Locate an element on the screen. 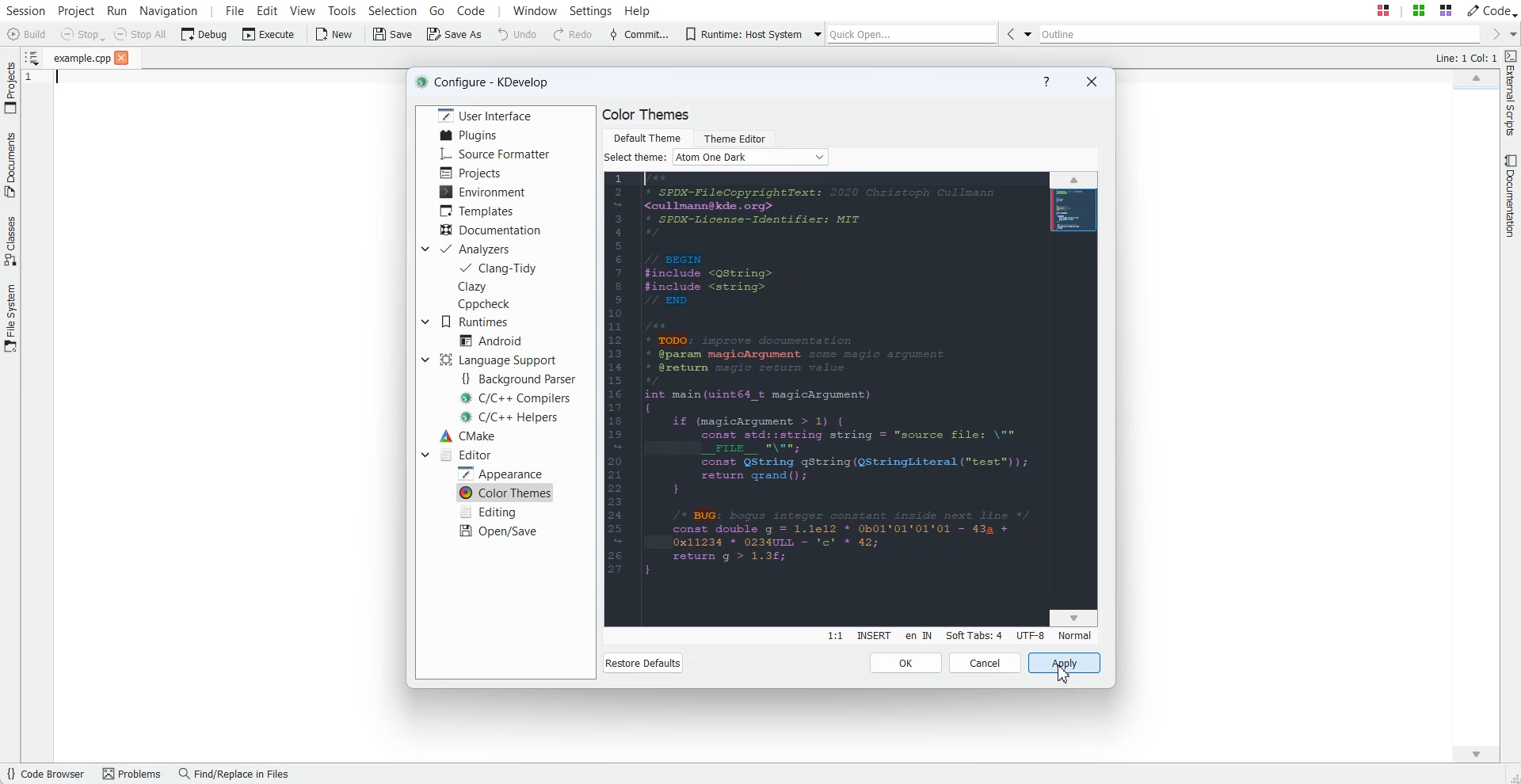 This screenshot has width=1521, height=784. Debug is located at coordinates (204, 33).